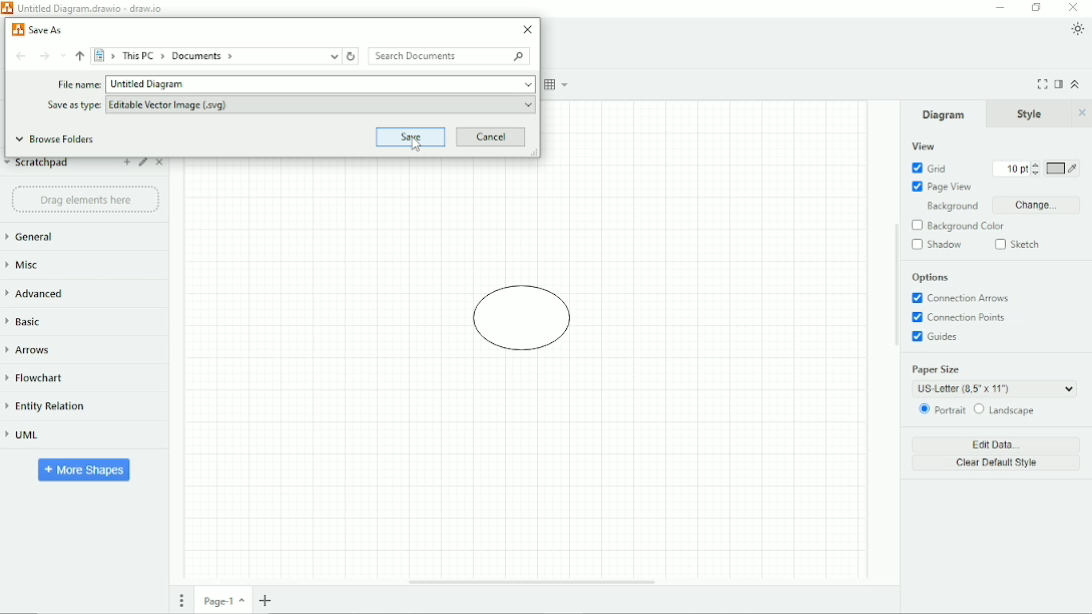 This screenshot has height=614, width=1092. I want to click on Grid, so click(930, 168).